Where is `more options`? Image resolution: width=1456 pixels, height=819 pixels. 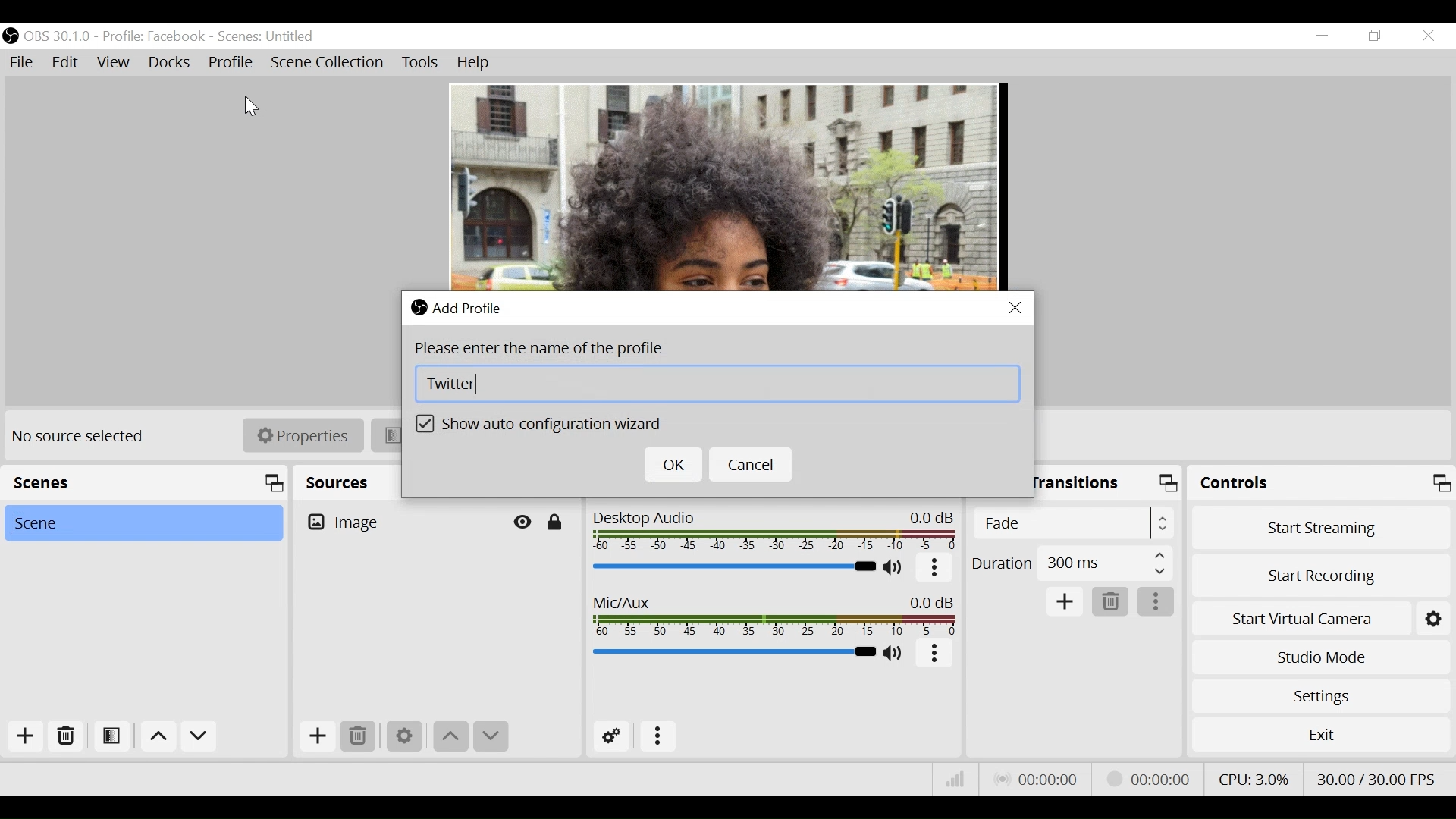
more options is located at coordinates (934, 655).